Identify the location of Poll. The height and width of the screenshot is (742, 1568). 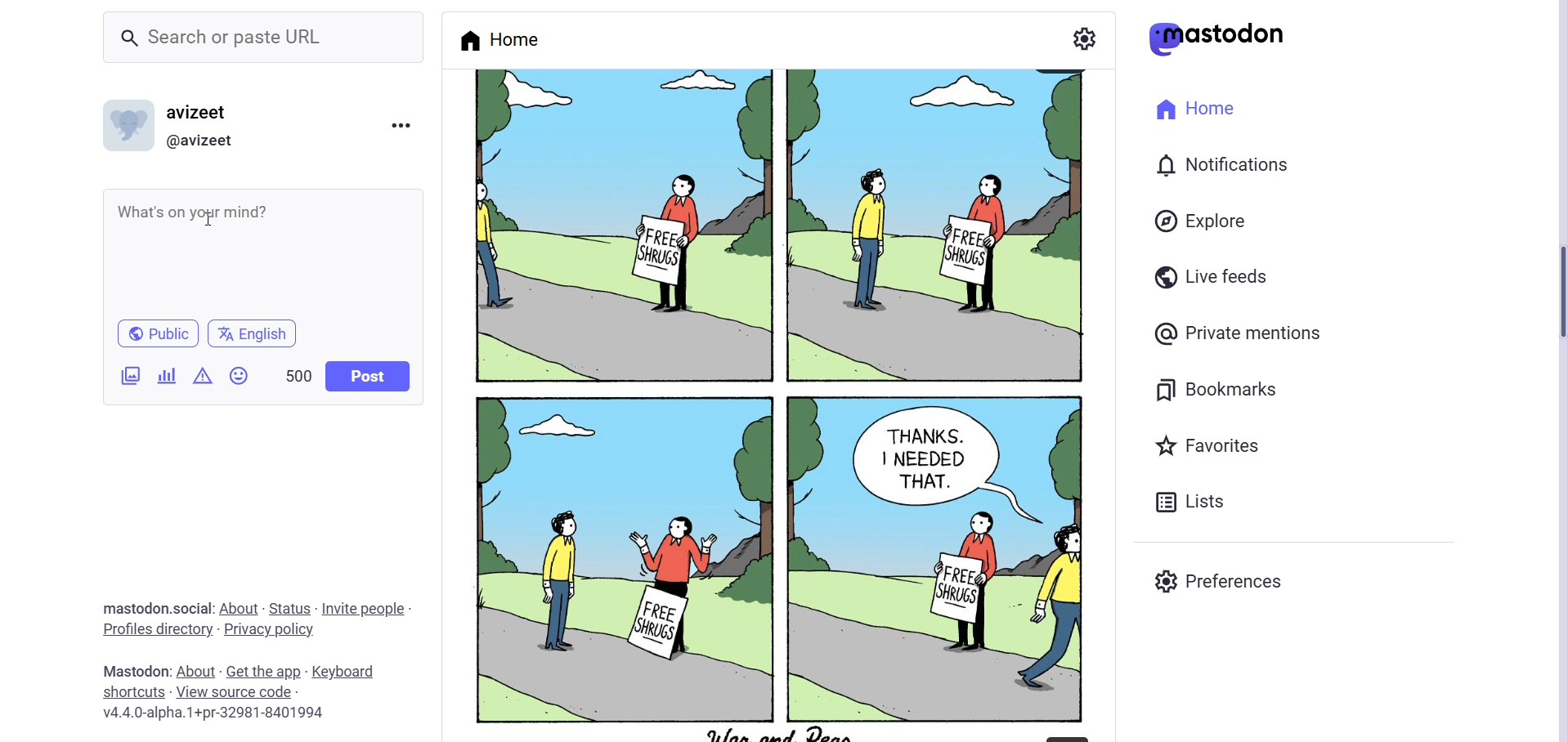
(168, 375).